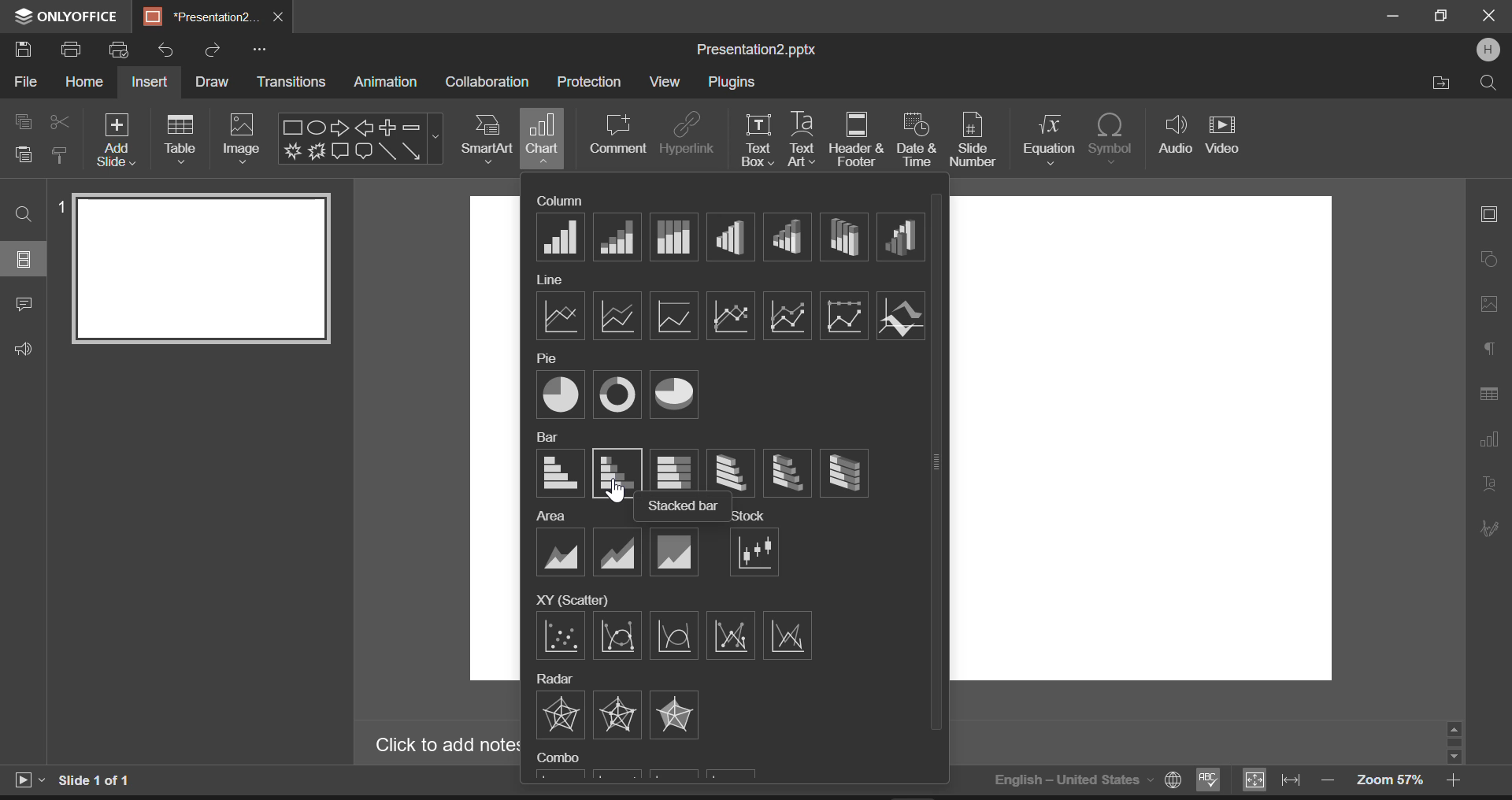 The width and height of the screenshot is (1512, 800). I want to click on Radar, so click(557, 678).